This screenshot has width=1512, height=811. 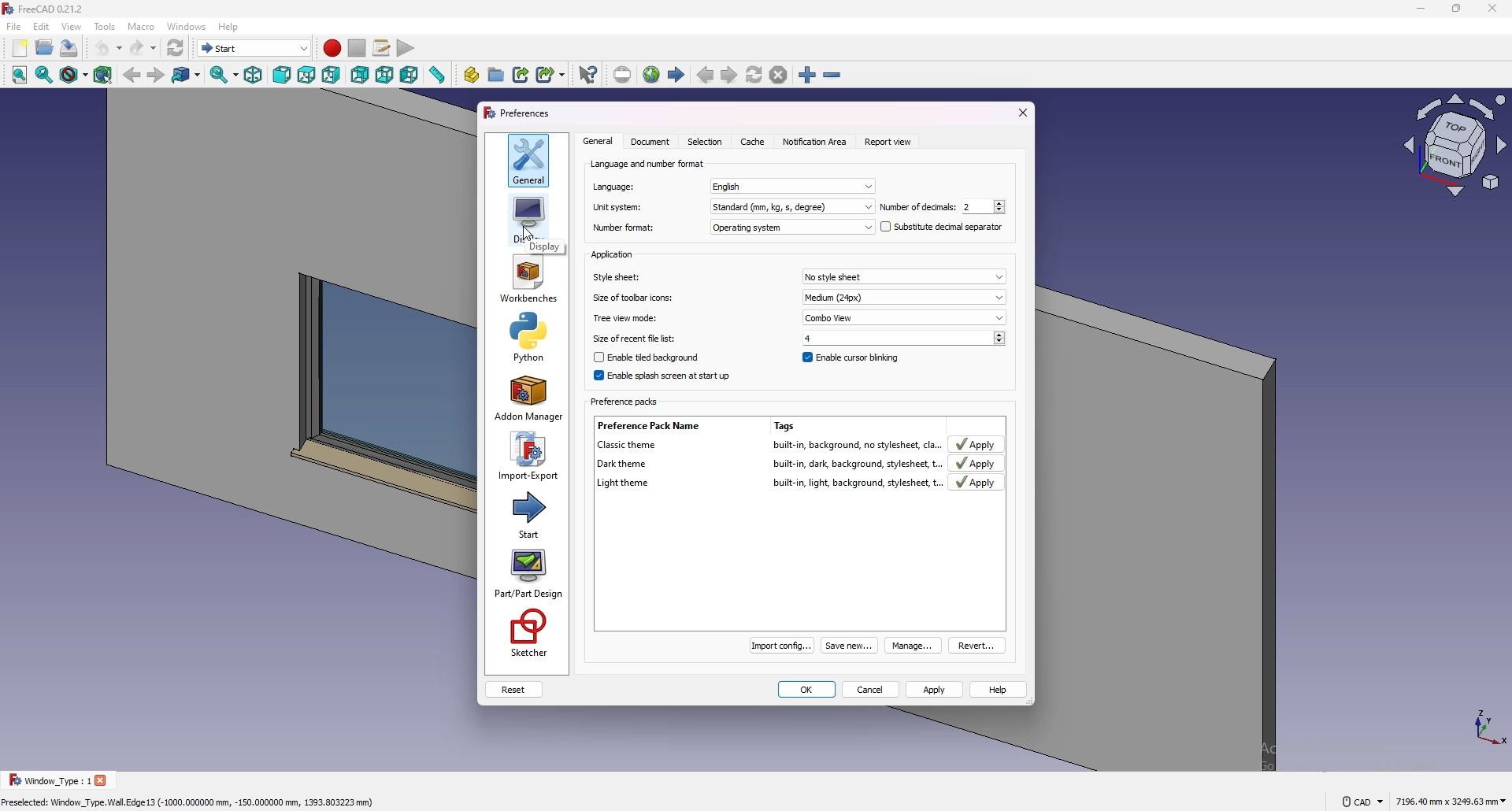 What do you see at coordinates (69, 47) in the screenshot?
I see `save` at bounding box center [69, 47].